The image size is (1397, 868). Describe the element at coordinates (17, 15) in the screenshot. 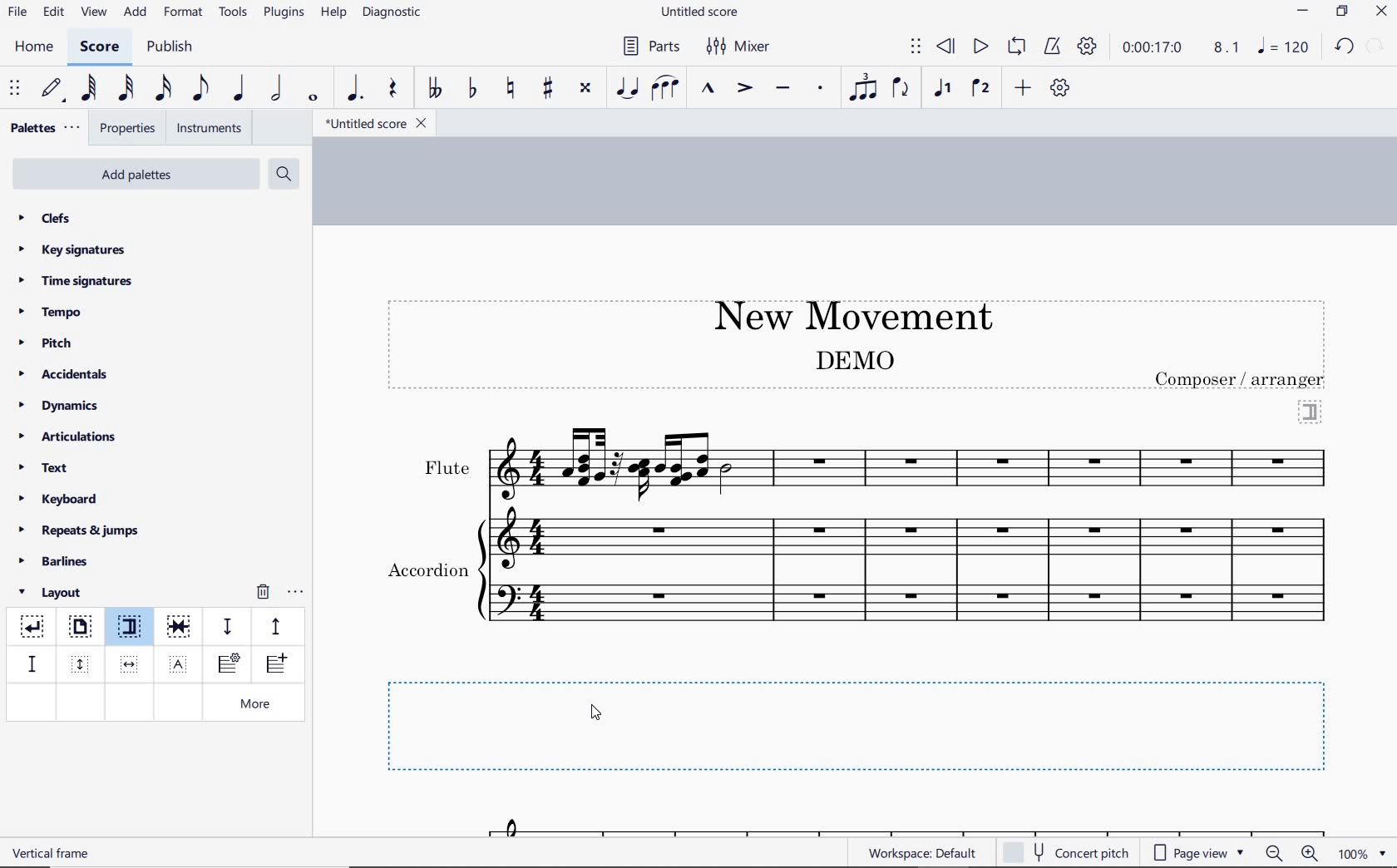

I see `file` at that location.